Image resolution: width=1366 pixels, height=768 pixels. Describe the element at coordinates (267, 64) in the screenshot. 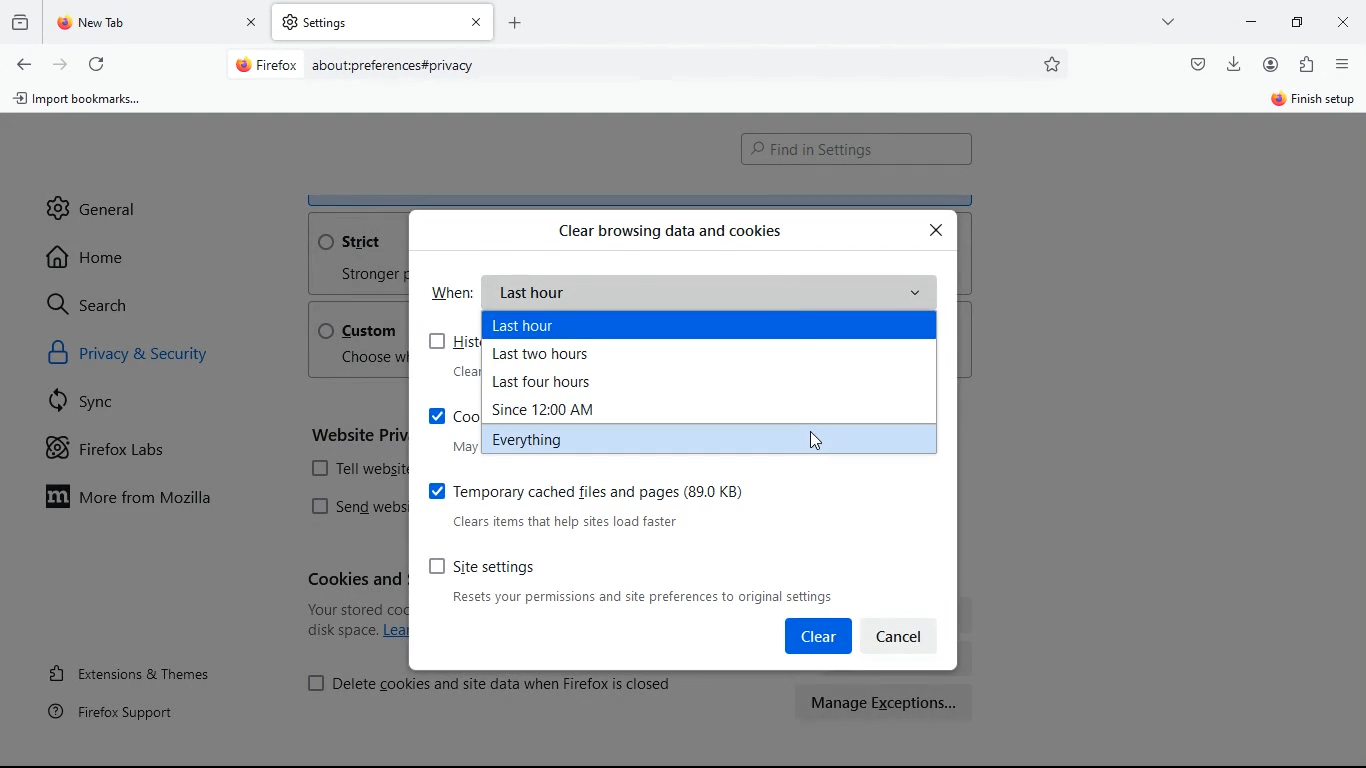

I see `Firefox` at that location.